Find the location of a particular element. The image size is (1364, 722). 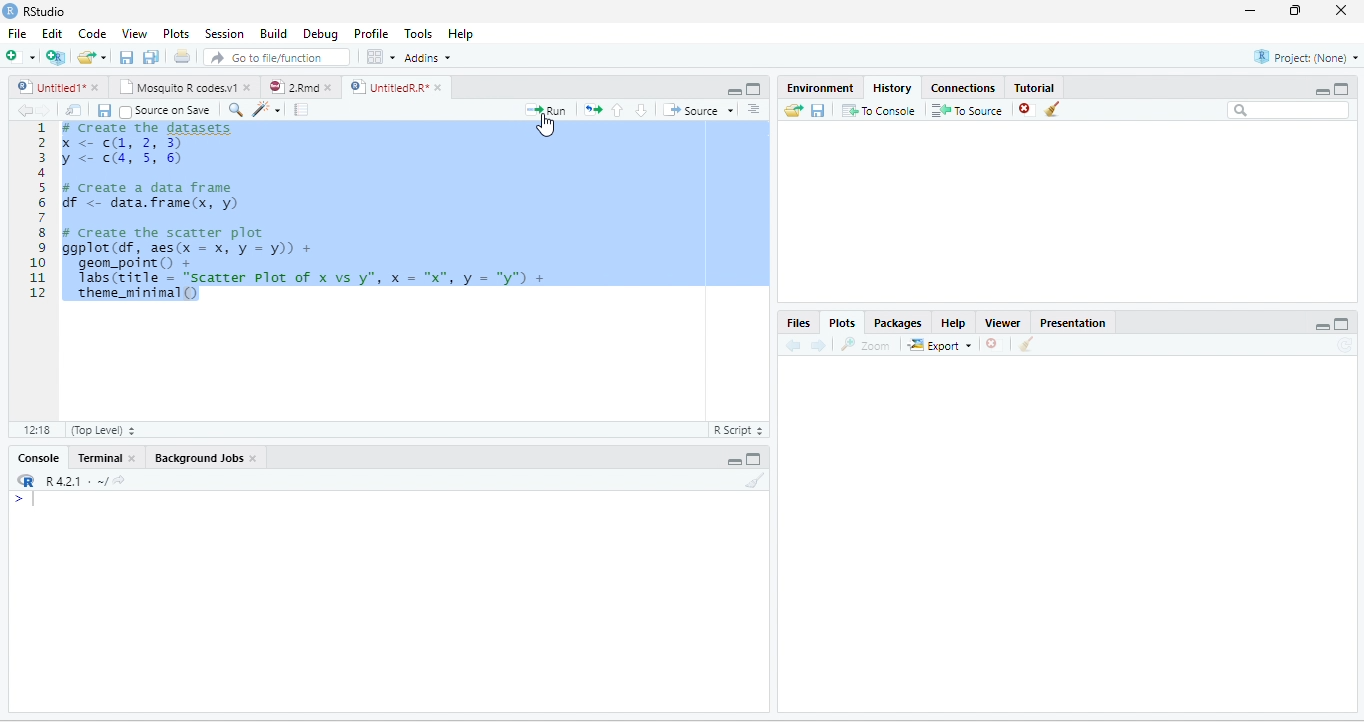

Compile Report is located at coordinates (301, 110).